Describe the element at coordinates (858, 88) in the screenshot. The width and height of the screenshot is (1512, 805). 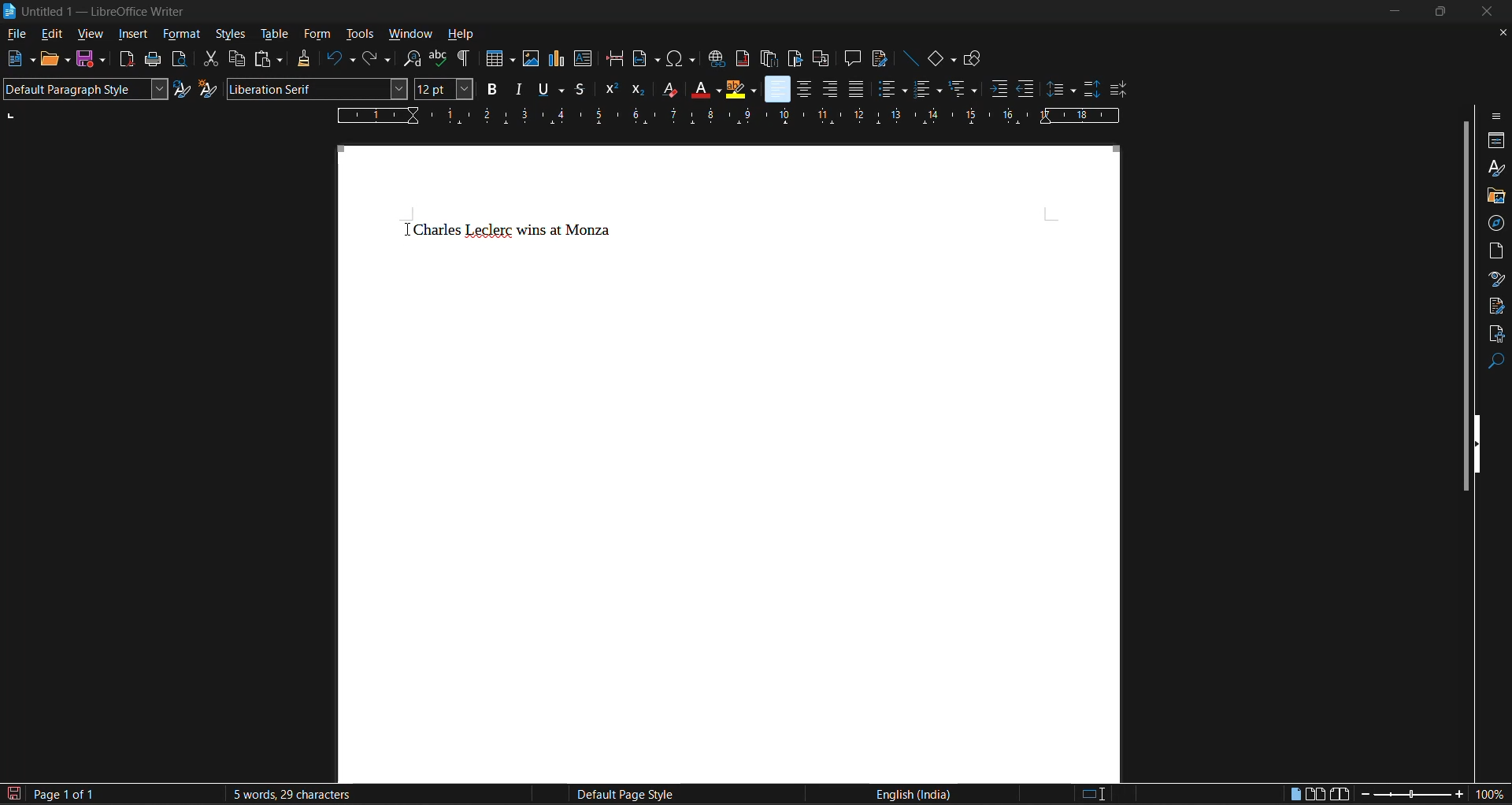
I see `justified` at that location.